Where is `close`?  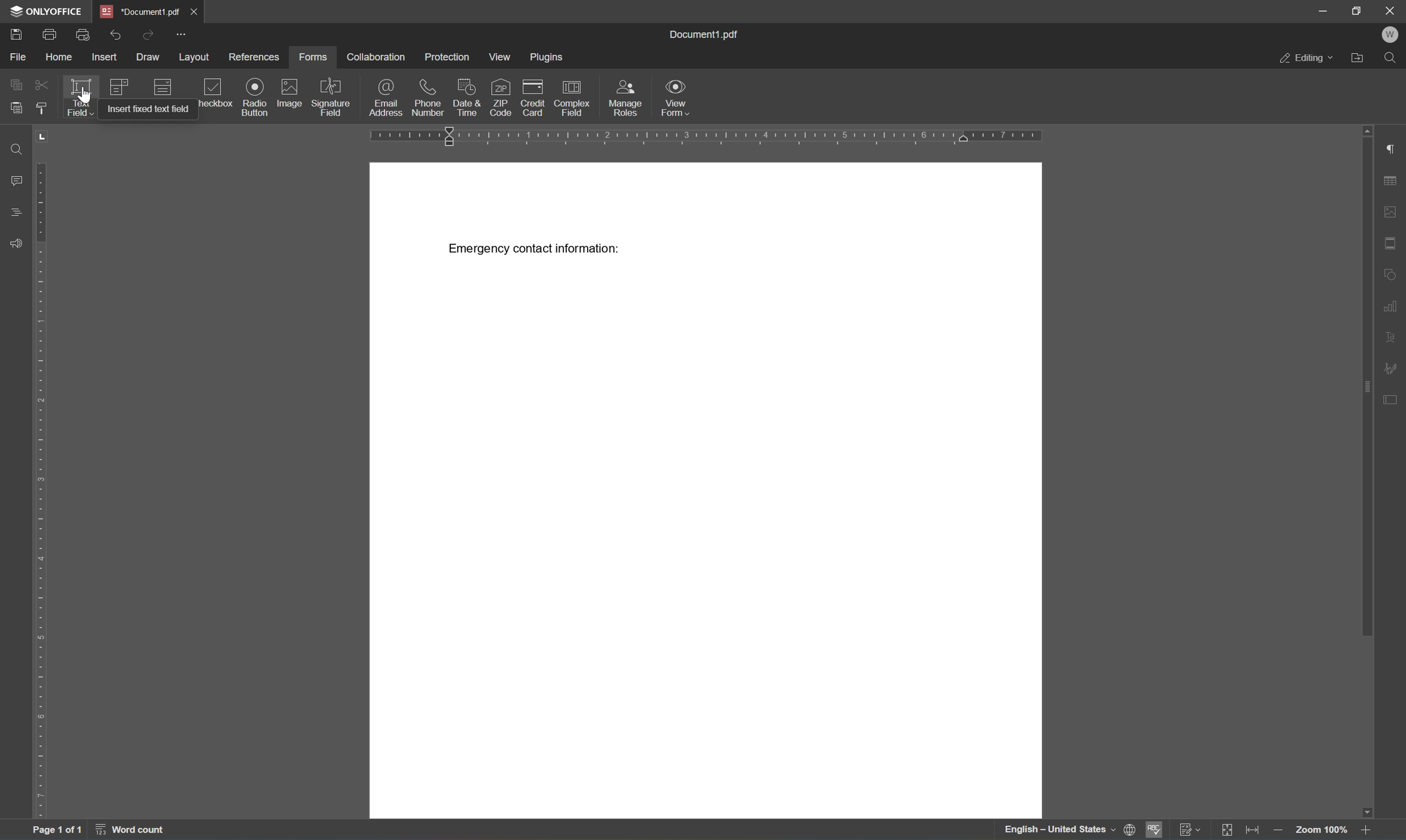
close is located at coordinates (1390, 11).